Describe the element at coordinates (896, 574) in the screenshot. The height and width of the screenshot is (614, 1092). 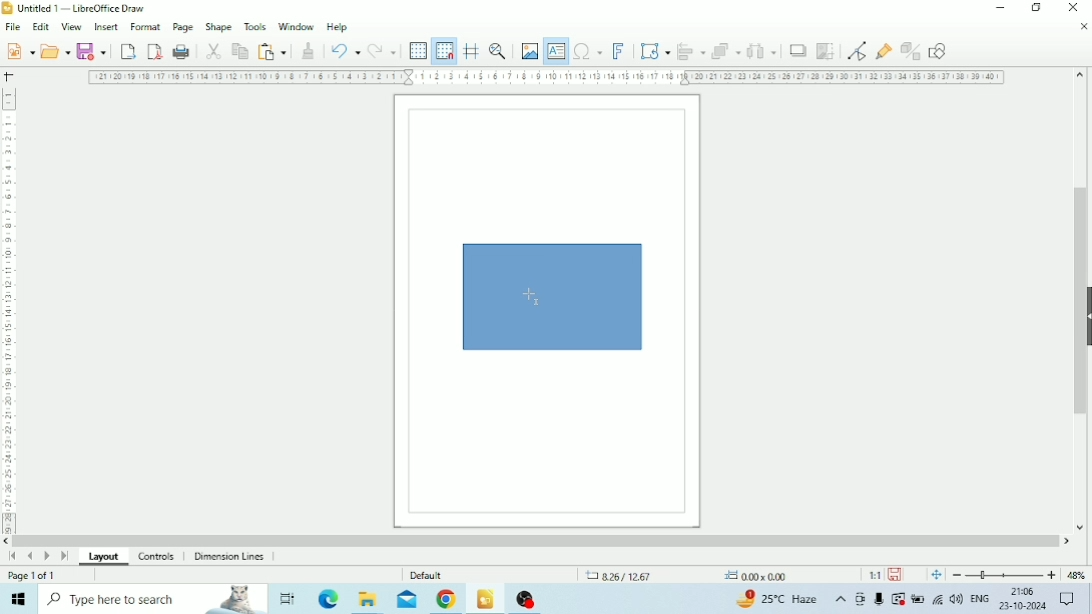
I see `Save` at that location.